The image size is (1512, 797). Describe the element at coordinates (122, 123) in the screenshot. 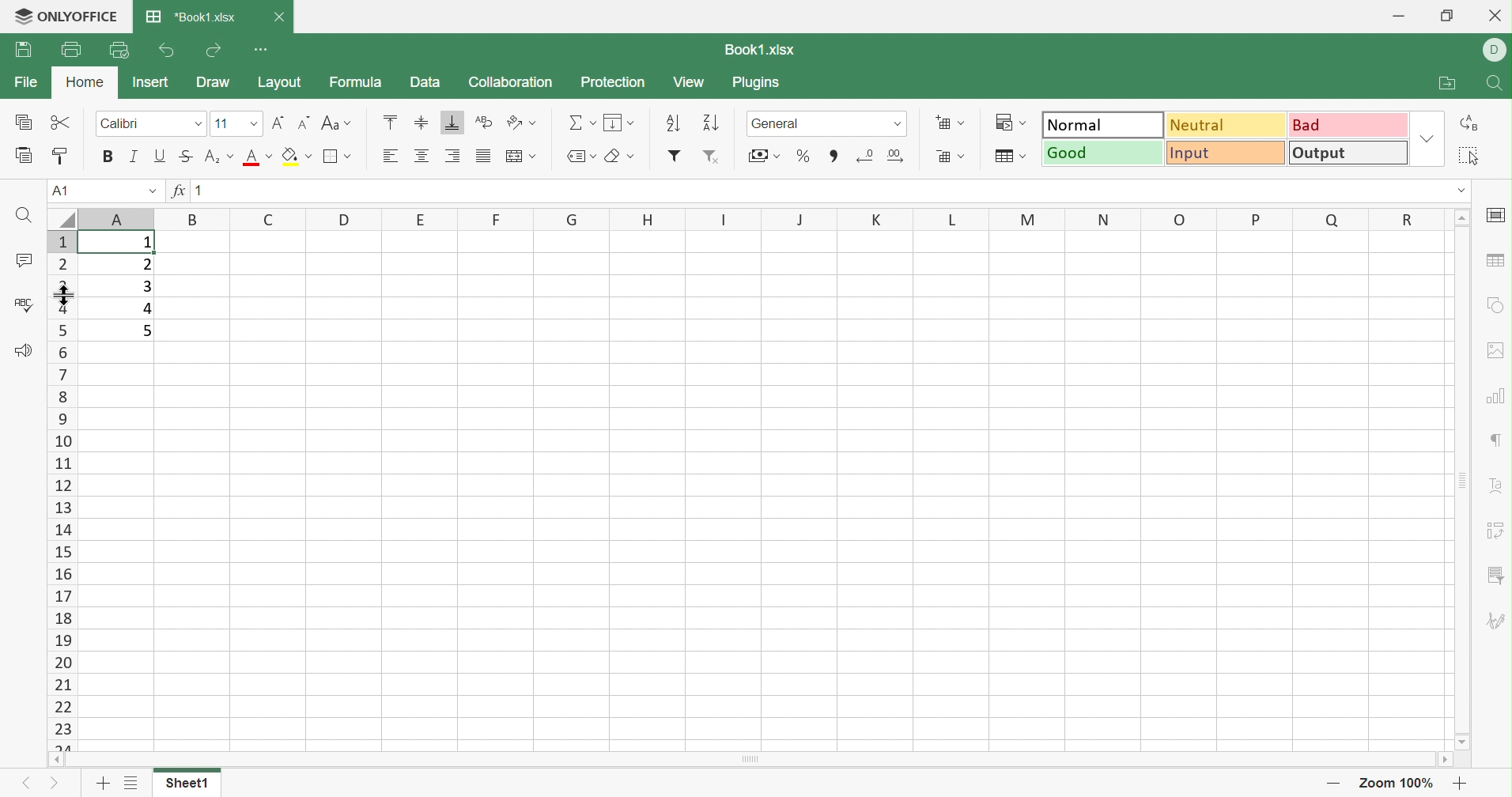

I see `Calibri` at that location.